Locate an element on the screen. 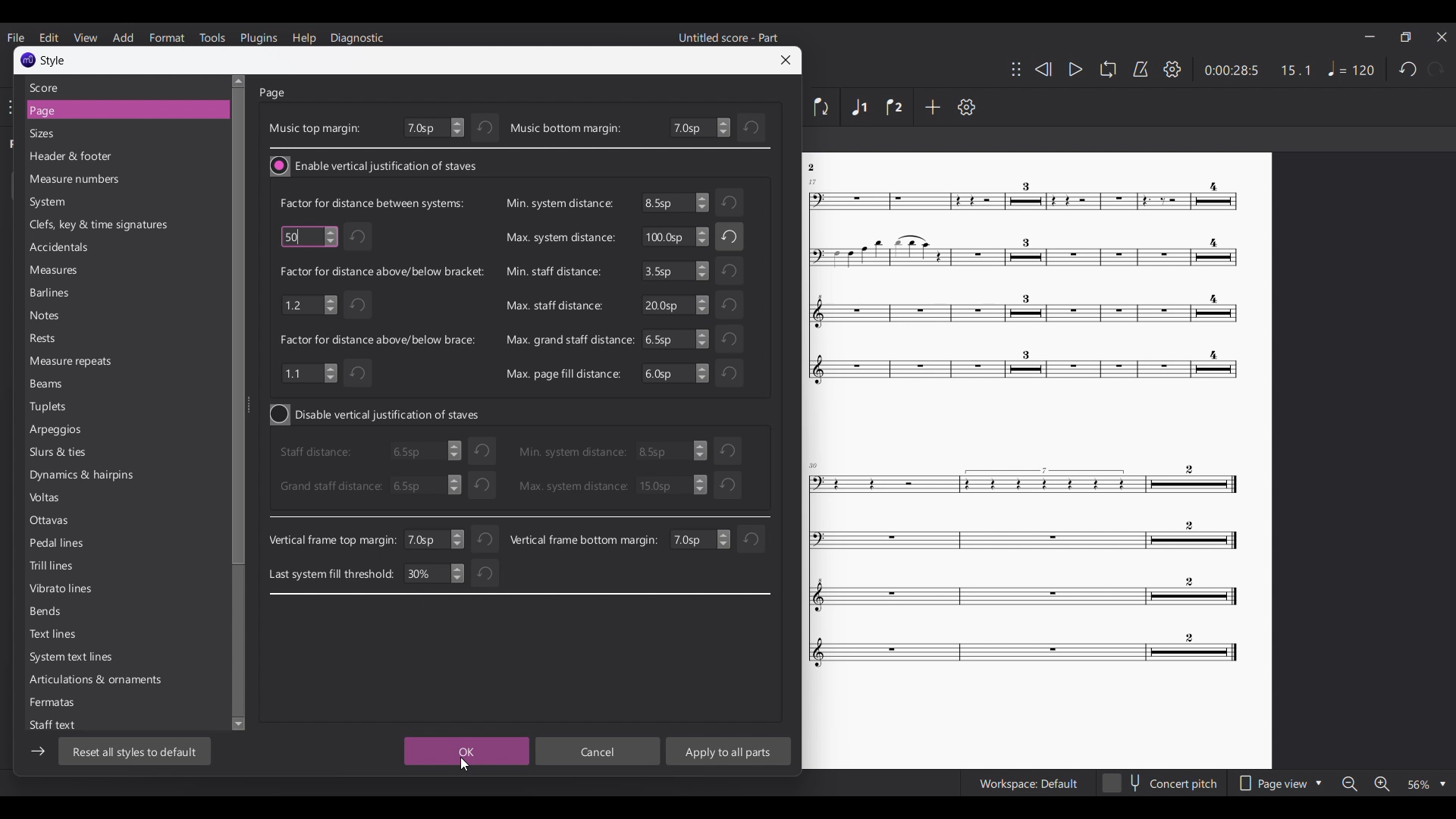 This screenshot has width=1456, height=819. Page view options is located at coordinates (1279, 783).